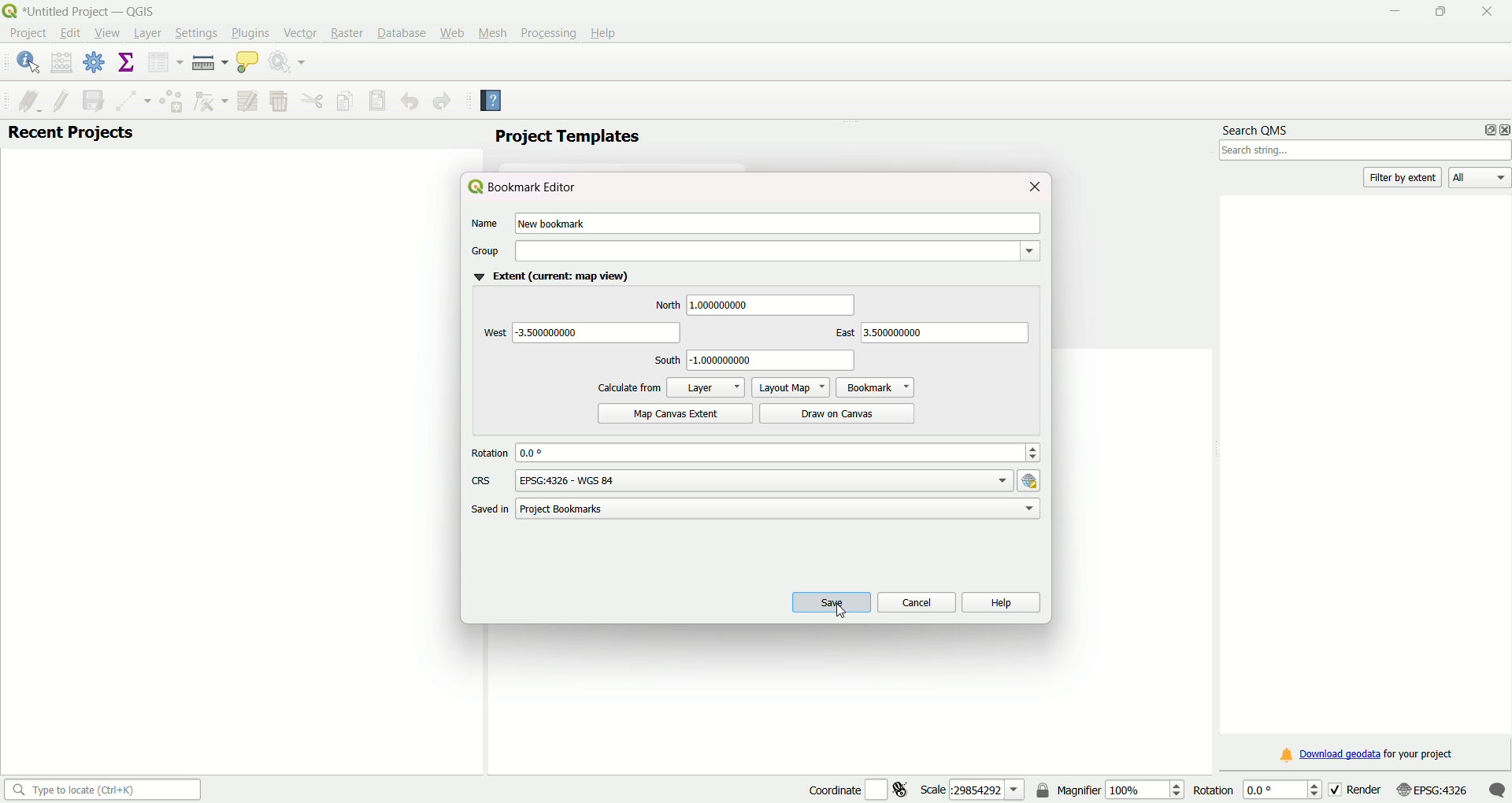 The image size is (1512, 803). What do you see at coordinates (346, 100) in the screenshot?
I see `copy feature` at bounding box center [346, 100].